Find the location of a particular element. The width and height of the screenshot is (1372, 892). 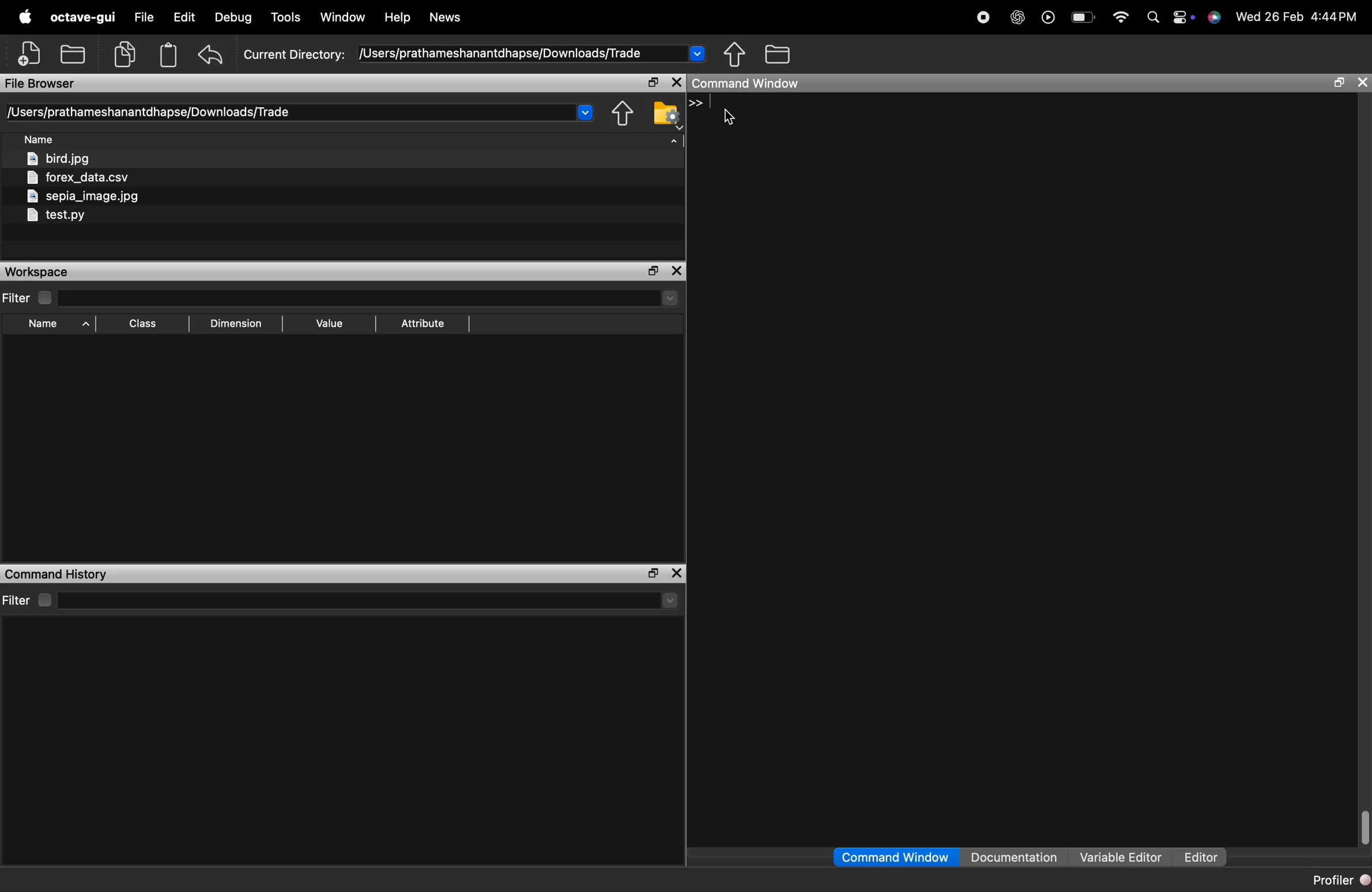

Workspace is located at coordinates (35, 272).